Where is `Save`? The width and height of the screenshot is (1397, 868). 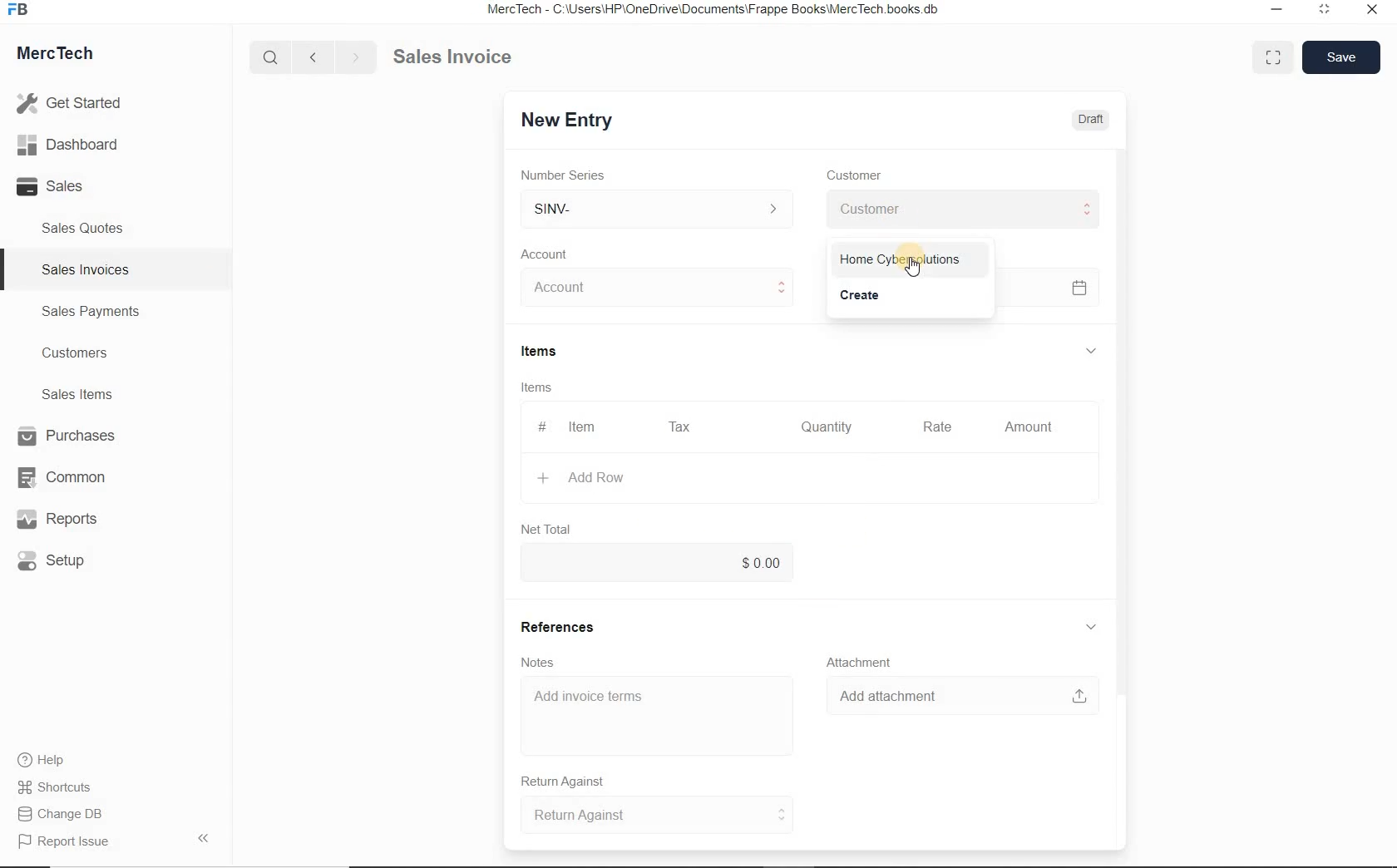
Save is located at coordinates (1340, 57).